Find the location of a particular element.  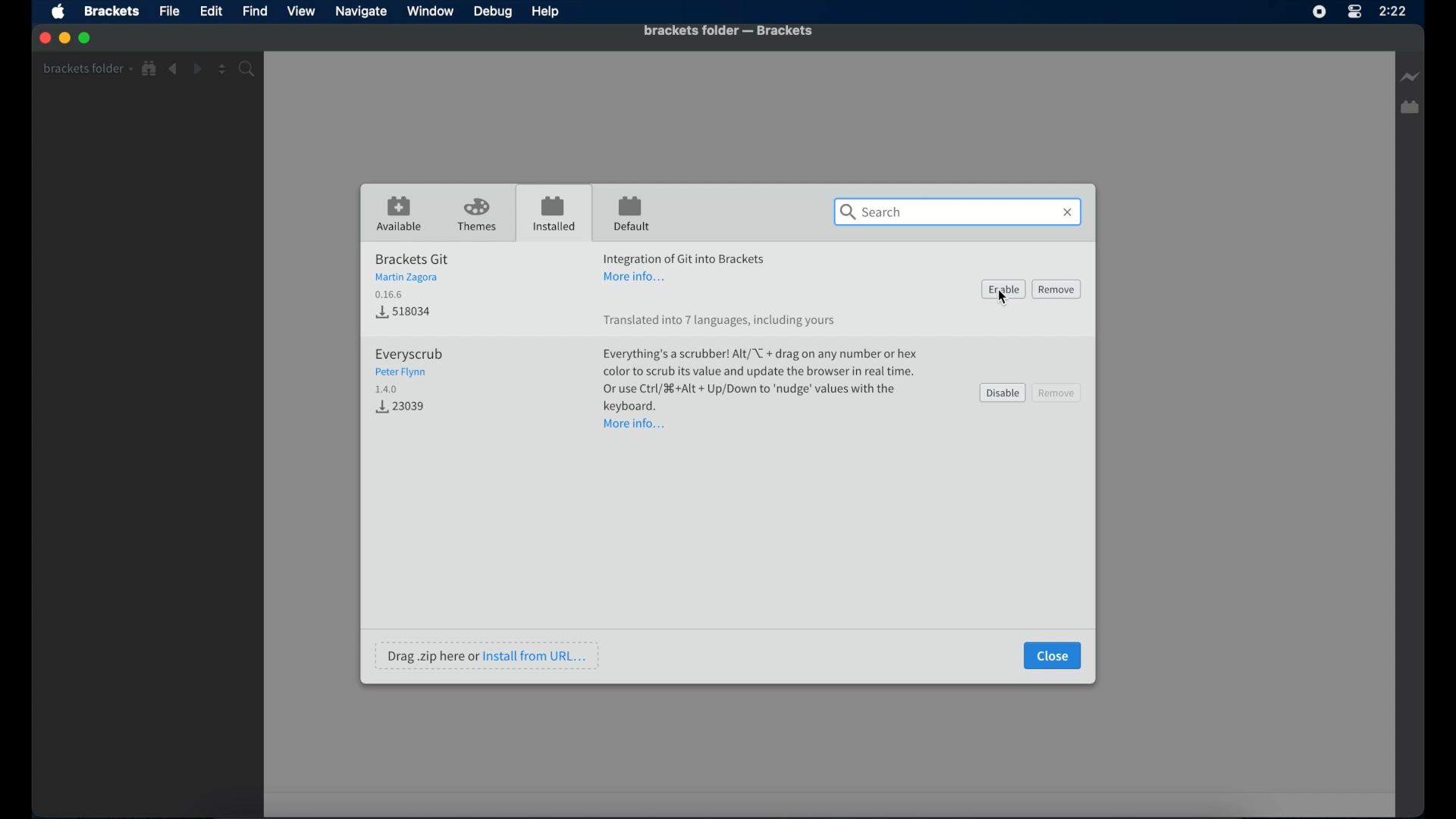

every scrub extension  is located at coordinates (409, 370).